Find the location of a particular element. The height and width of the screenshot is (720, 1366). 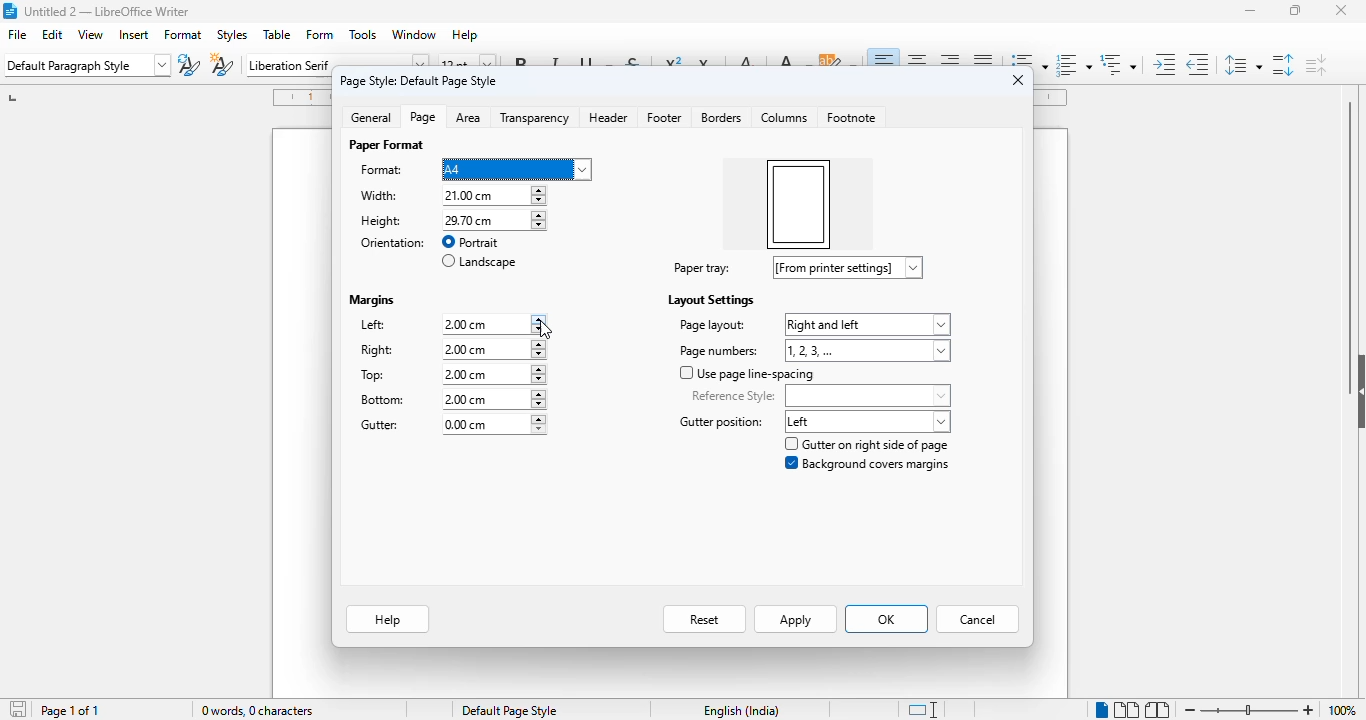

right:  is located at coordinates (377, 349).